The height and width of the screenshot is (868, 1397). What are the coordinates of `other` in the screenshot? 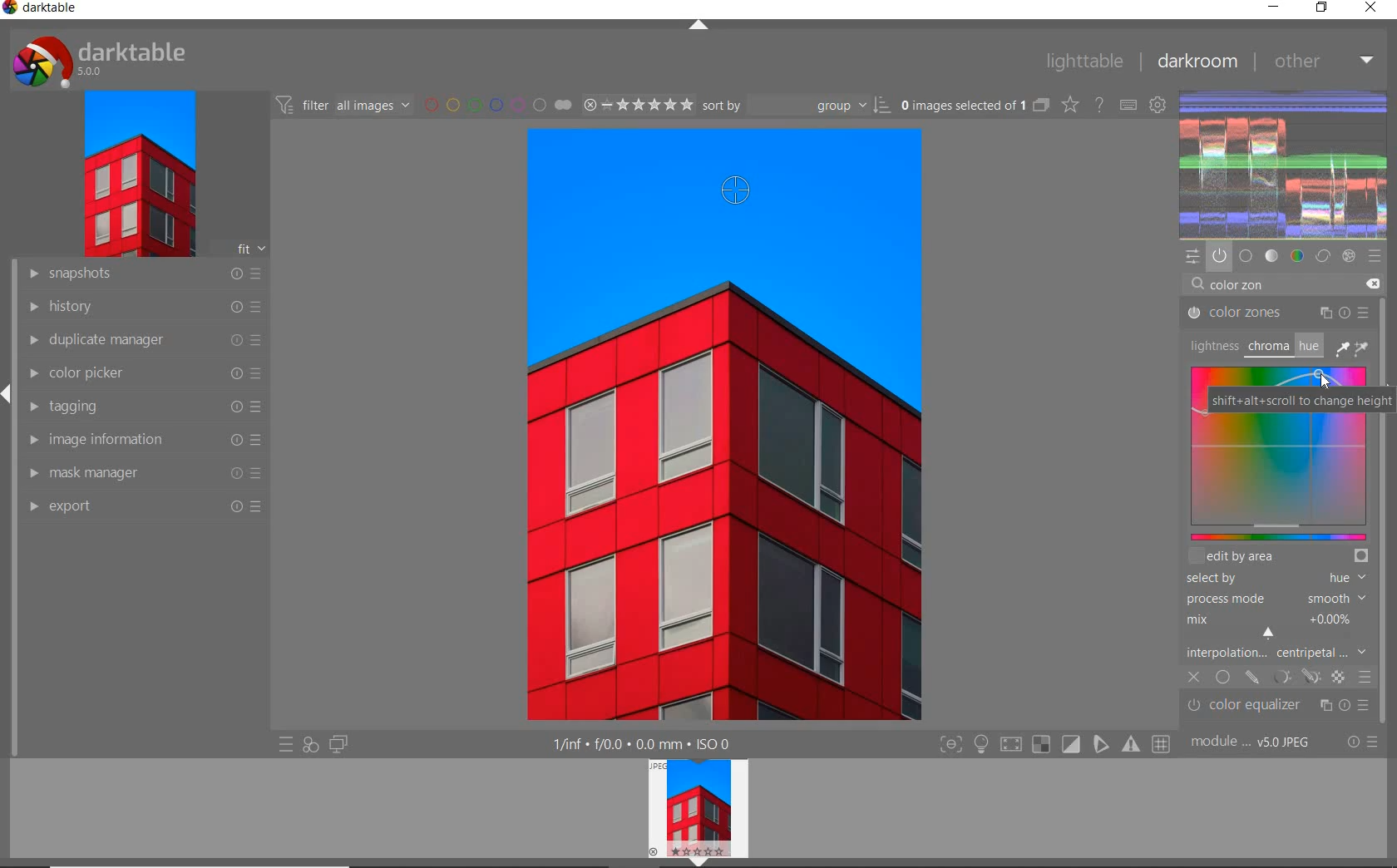 It's located at (1324, 60).